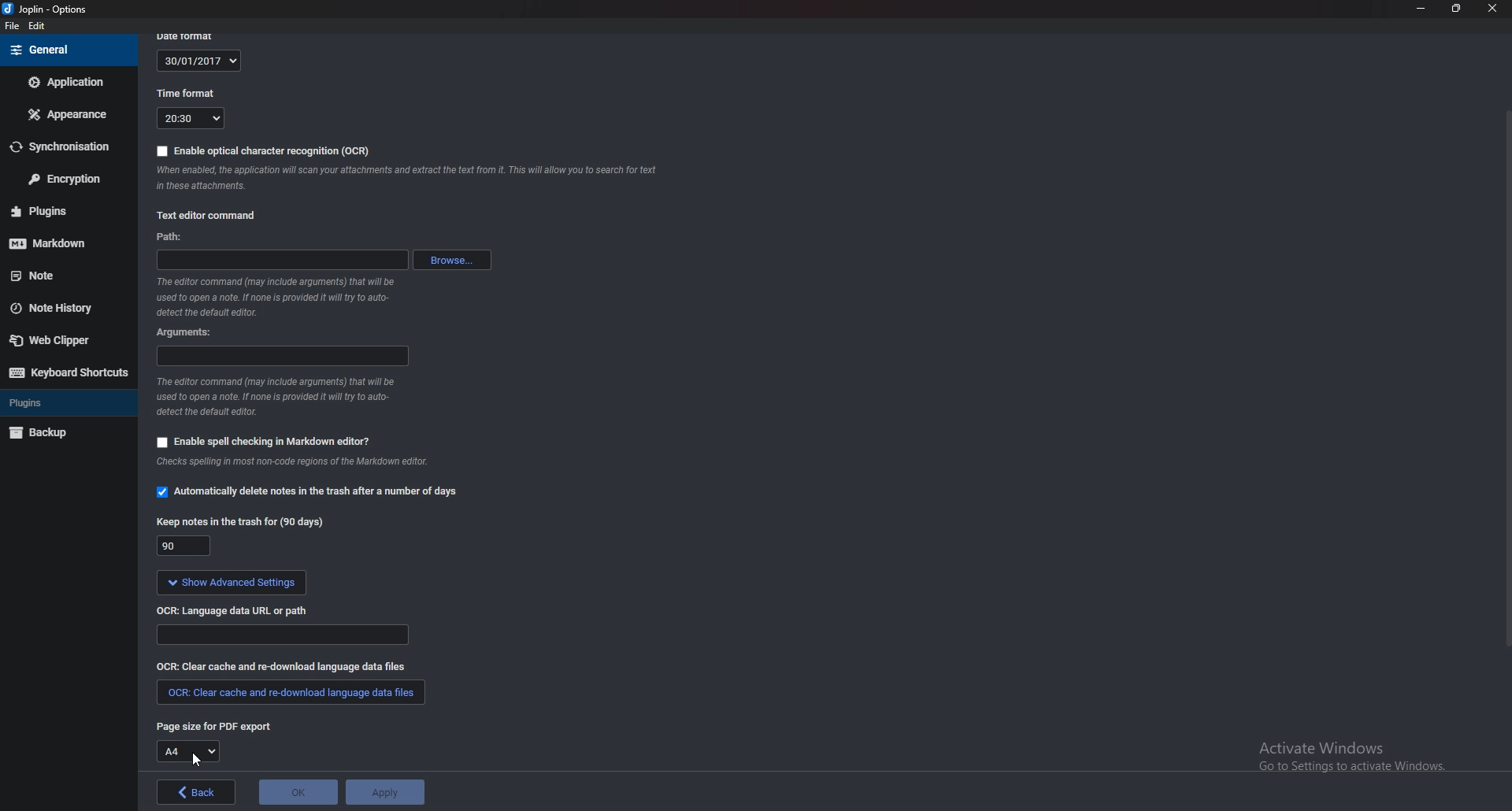 The image size is (1512, 811). Describe the element at coordinates (292, 462) in the screenshot. I see `Info on spell check` at that location.